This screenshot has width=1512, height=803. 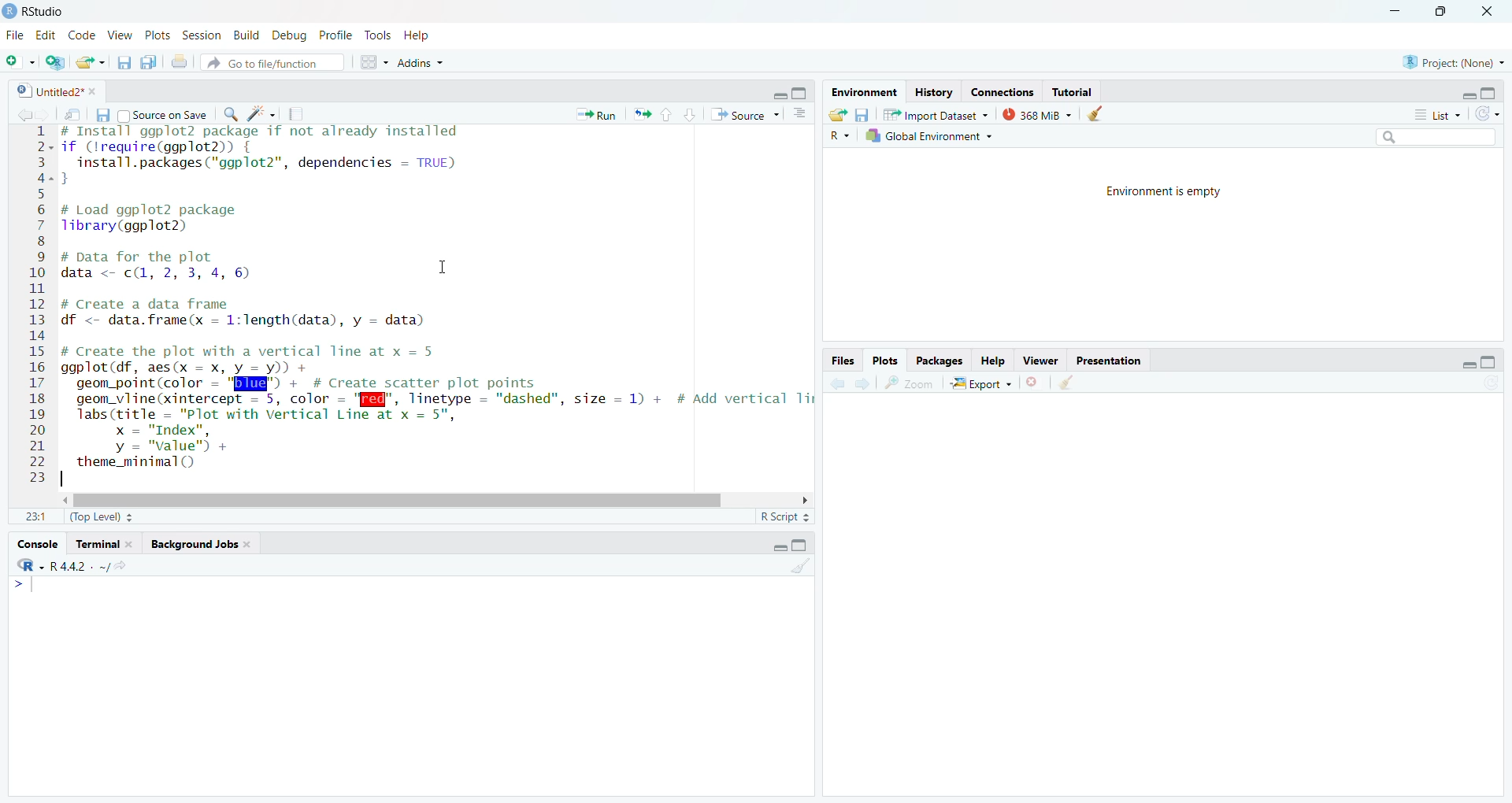 What do you see at coordinates (799, 115) in the screenshot?
I see `options` at bounding box center [799, 115].